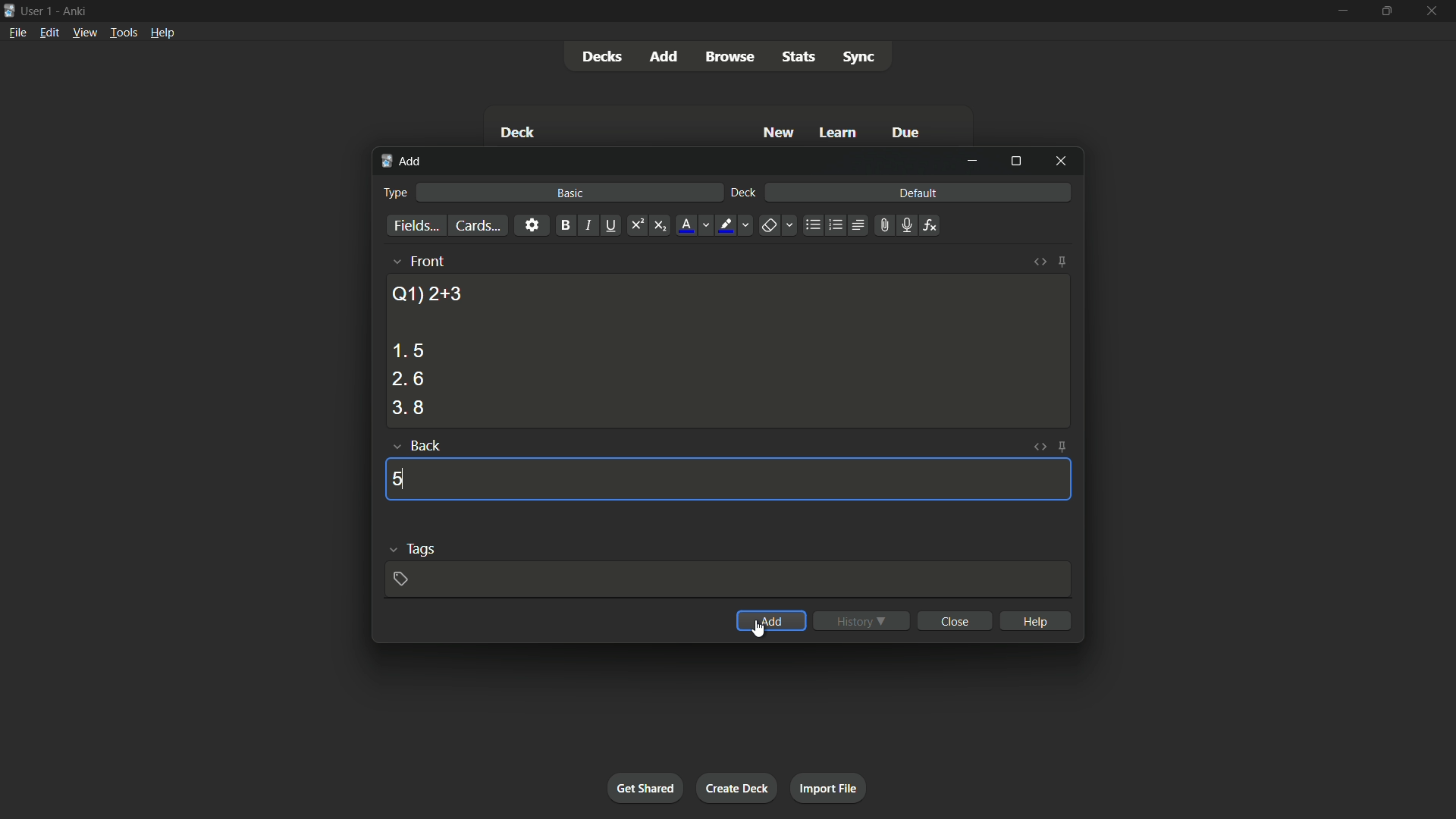 The width and height of the screenshot is (1456, 819). What do you see at coordinates (19, 32) in the screenshot?
I see `file menu` at bounding box center [19, 32].